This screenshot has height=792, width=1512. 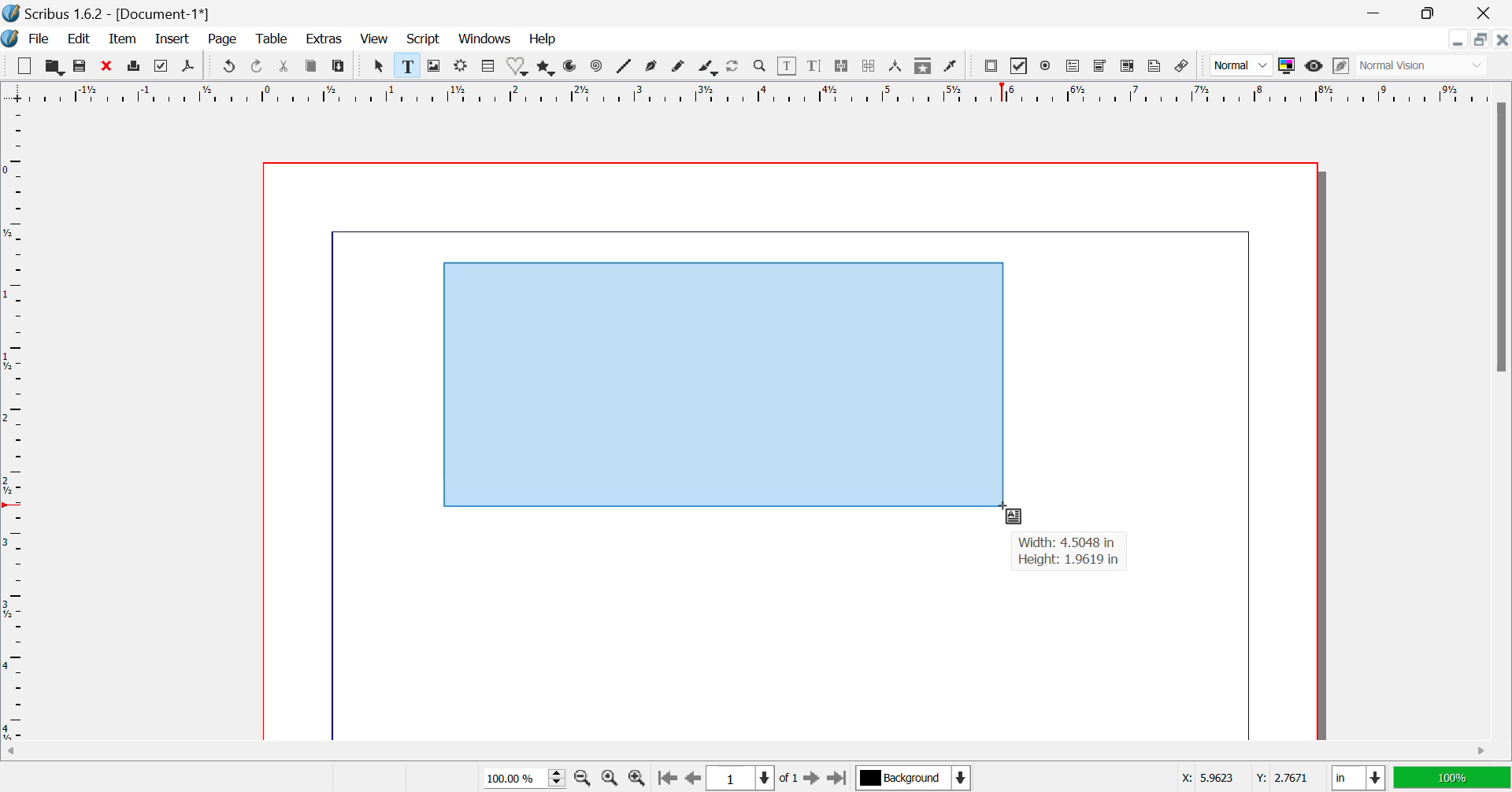 What do you see at coordinates (1008, 513) in the screenshot?
I see `Cursor` at bounding box center [1008, 513].